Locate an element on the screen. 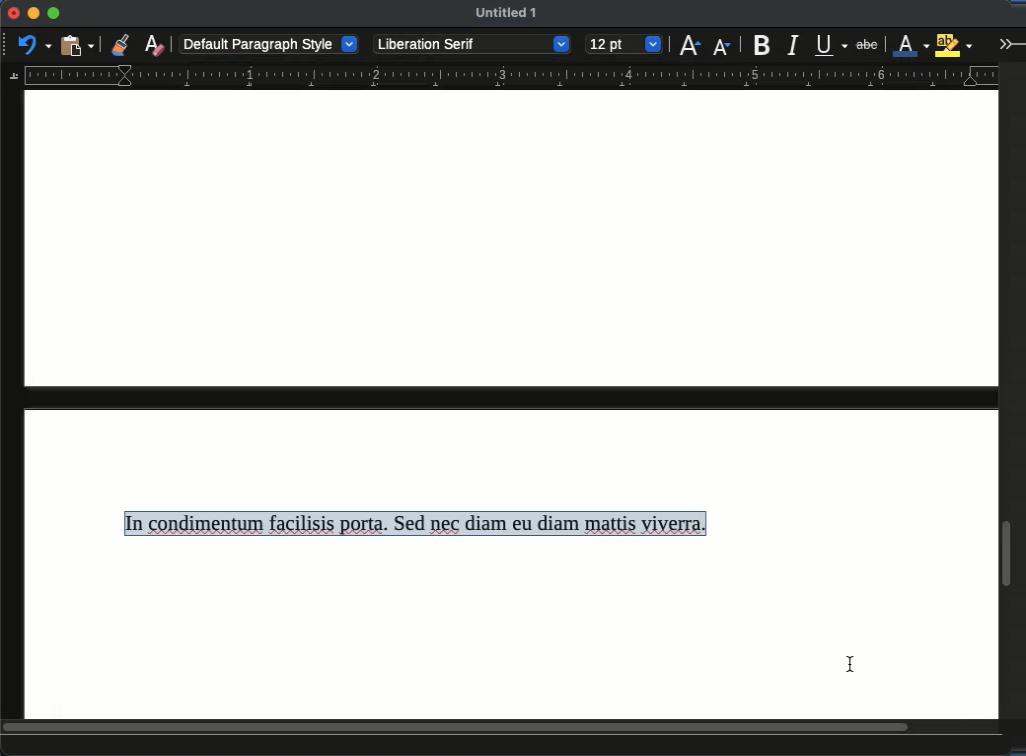  highlight color is located at coordinates (954, 43).